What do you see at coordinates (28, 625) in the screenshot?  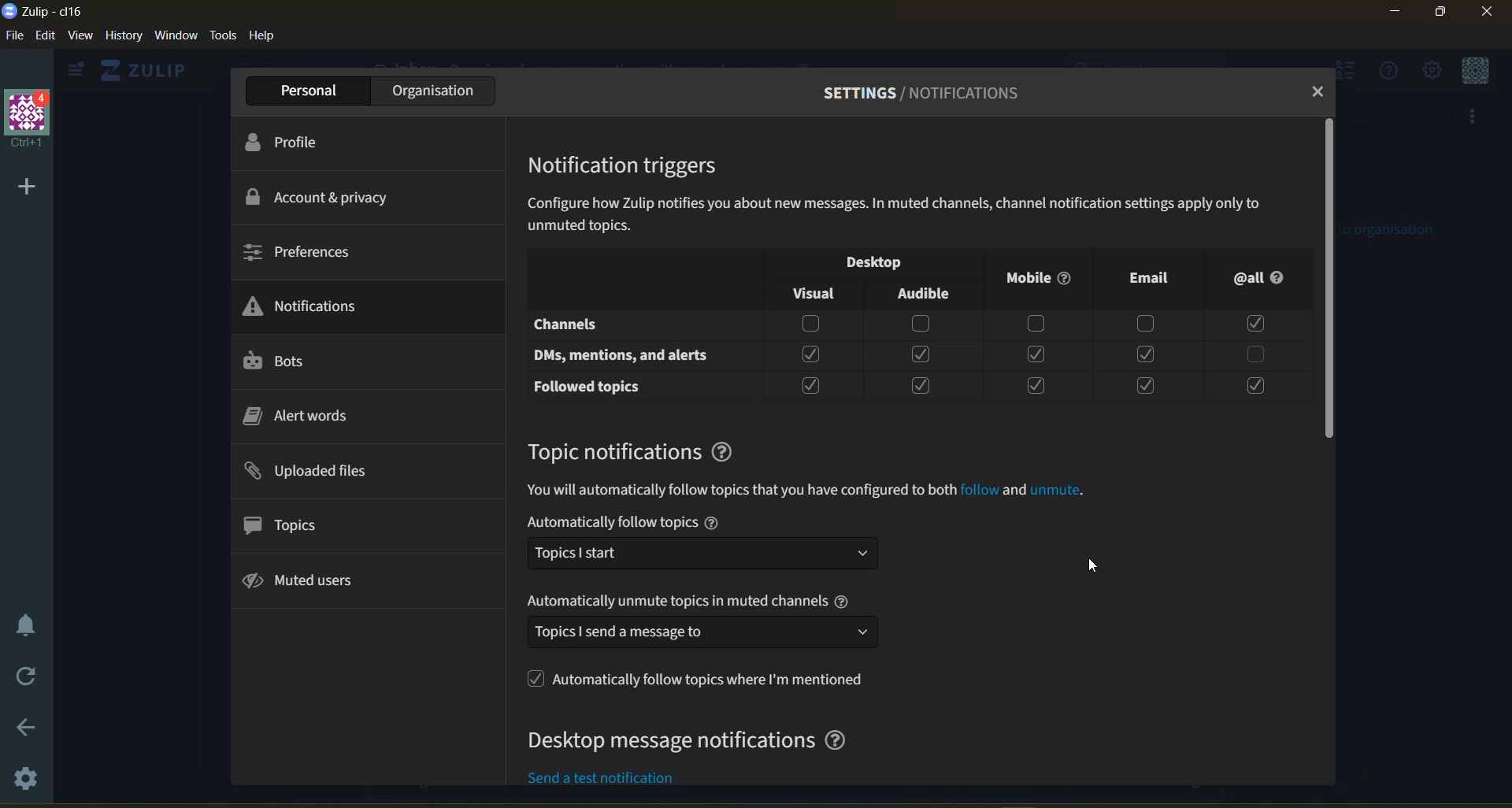 I see `enable do not disturb` at bounding box center [28, 625].